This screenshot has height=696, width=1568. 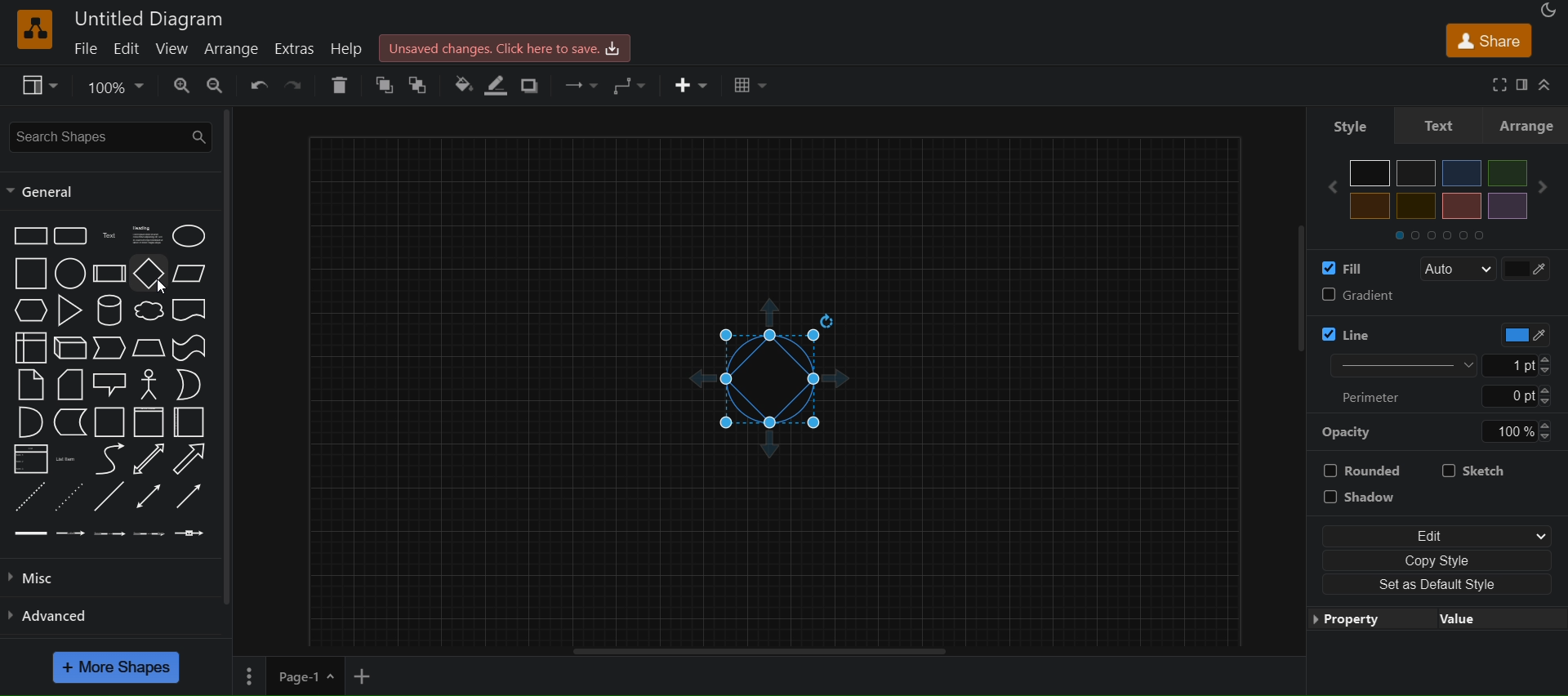 What do you see at coordinates (151, 496) in the screenshot?
I see `bidirectional connector` at bounding box center [151, 496].